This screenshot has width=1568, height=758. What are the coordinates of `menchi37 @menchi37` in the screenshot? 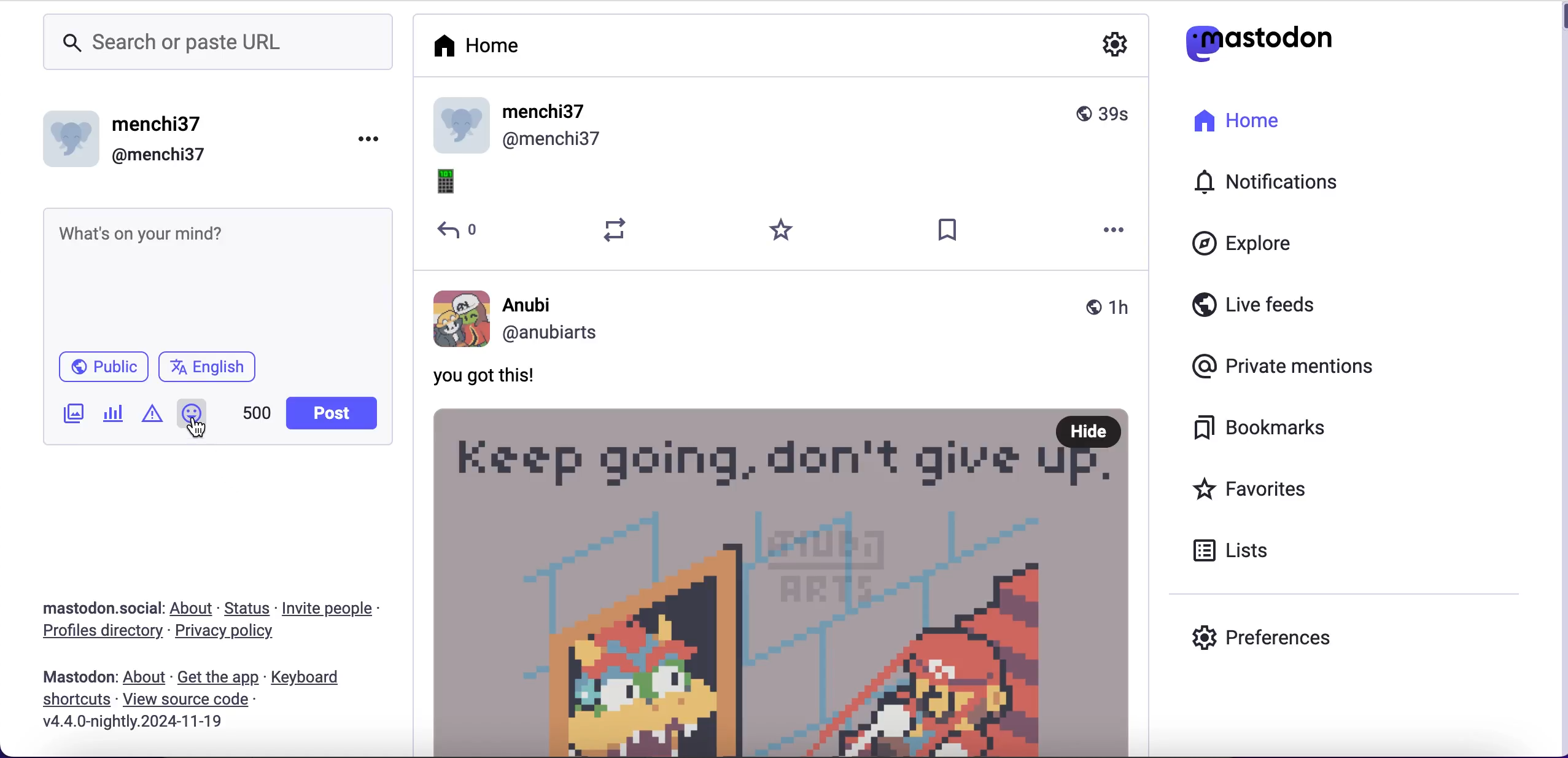 It's located at (782, 127).